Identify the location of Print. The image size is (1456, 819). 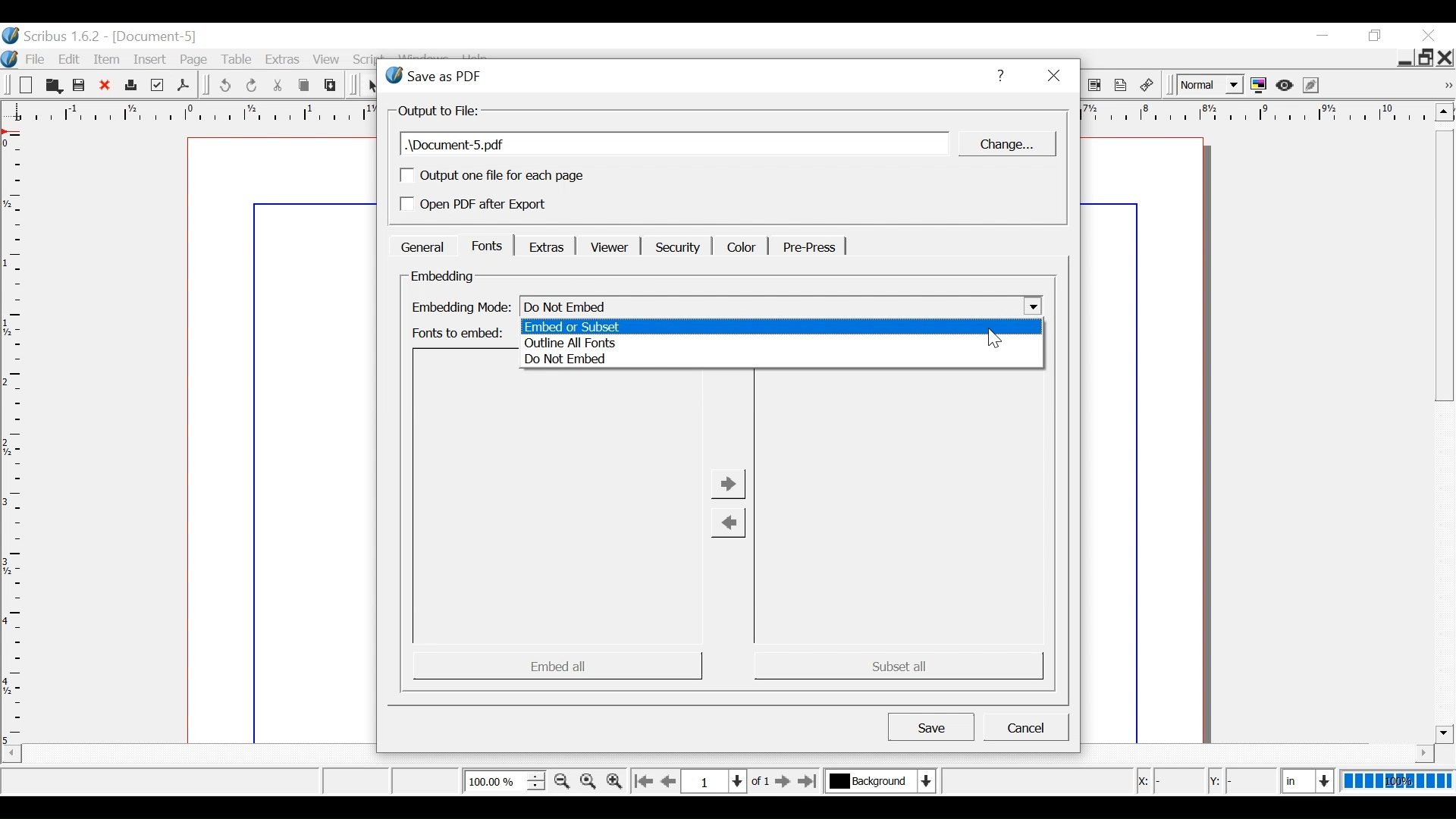
(130, 86).